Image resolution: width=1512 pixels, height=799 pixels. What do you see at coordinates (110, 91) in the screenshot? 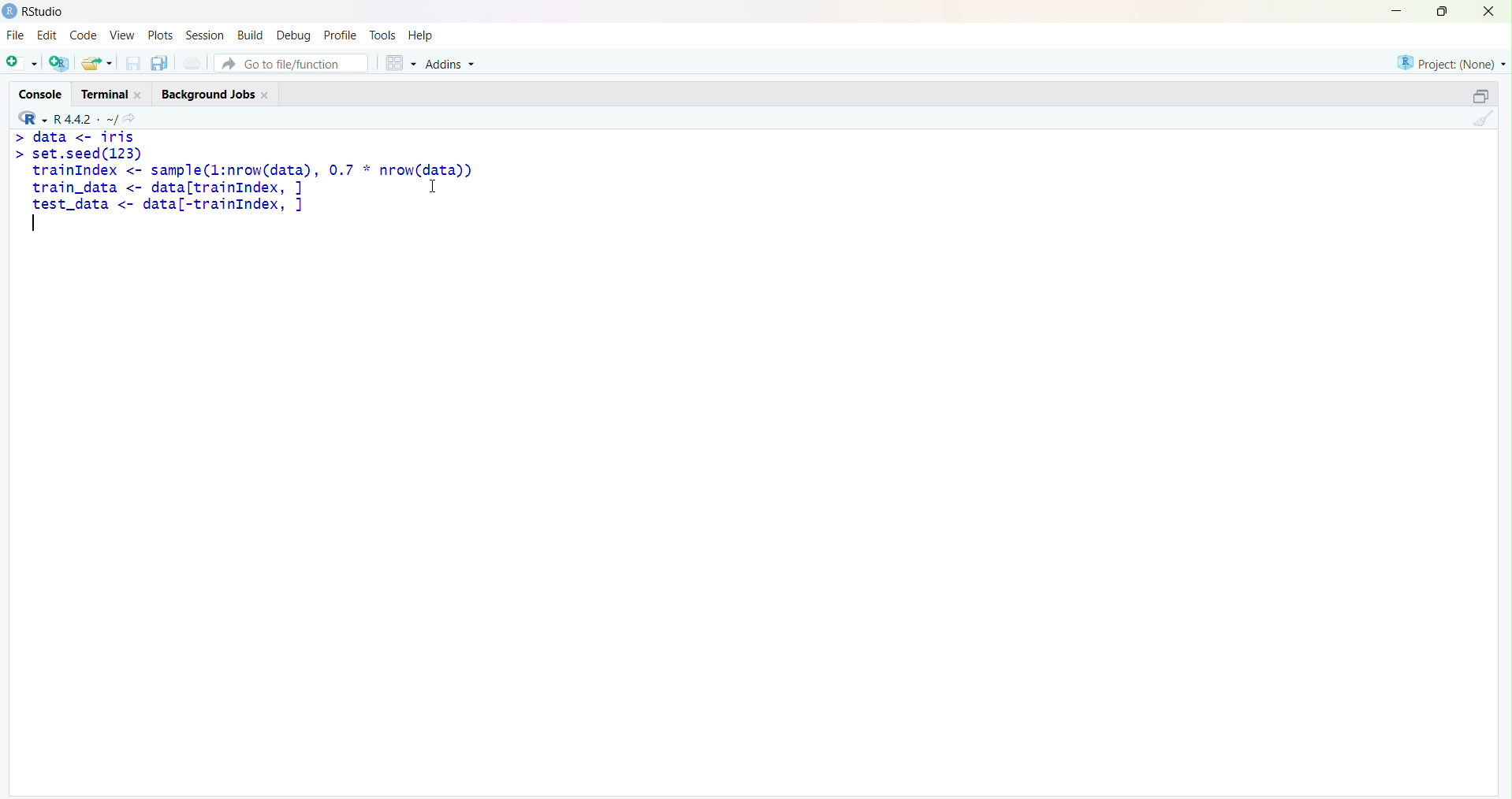
I see `Terminal` at bounding box center [110, 91].